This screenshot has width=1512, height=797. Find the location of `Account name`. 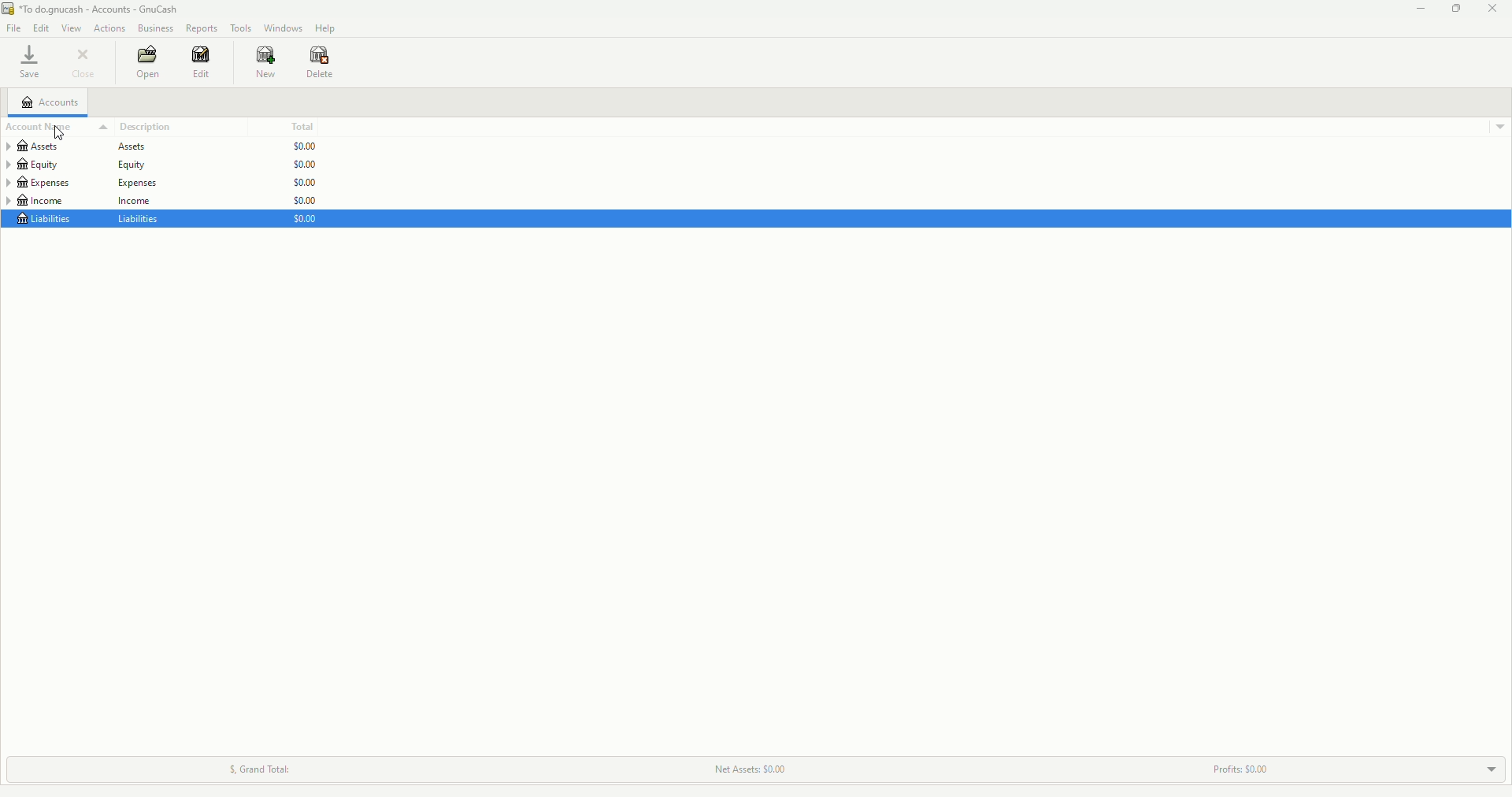

Account name is located at coordinates (57, 128).